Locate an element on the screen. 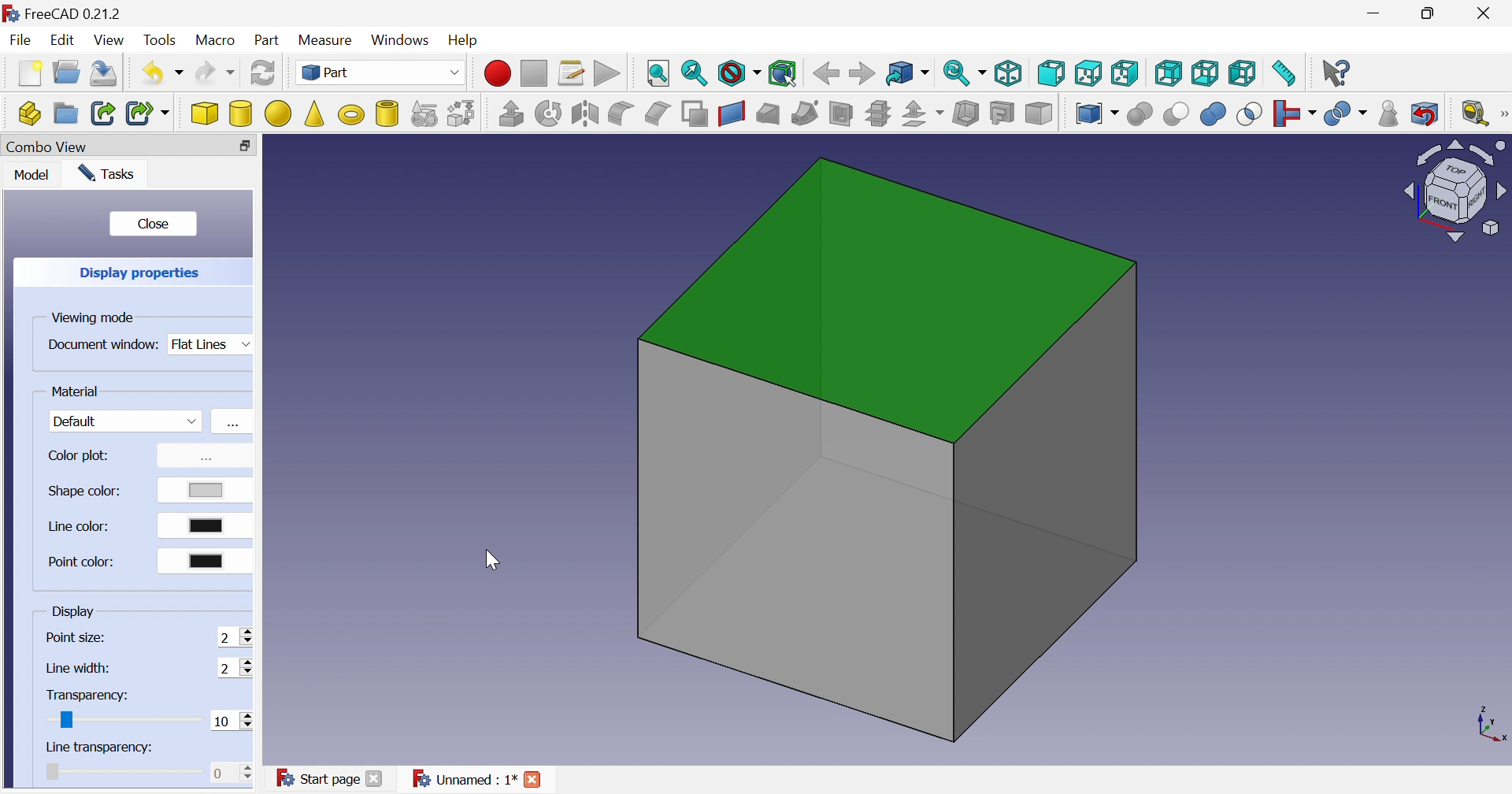 The width and height of the screenshot is (1512, 794). Make sub-link is located at coordinates (150, 113).